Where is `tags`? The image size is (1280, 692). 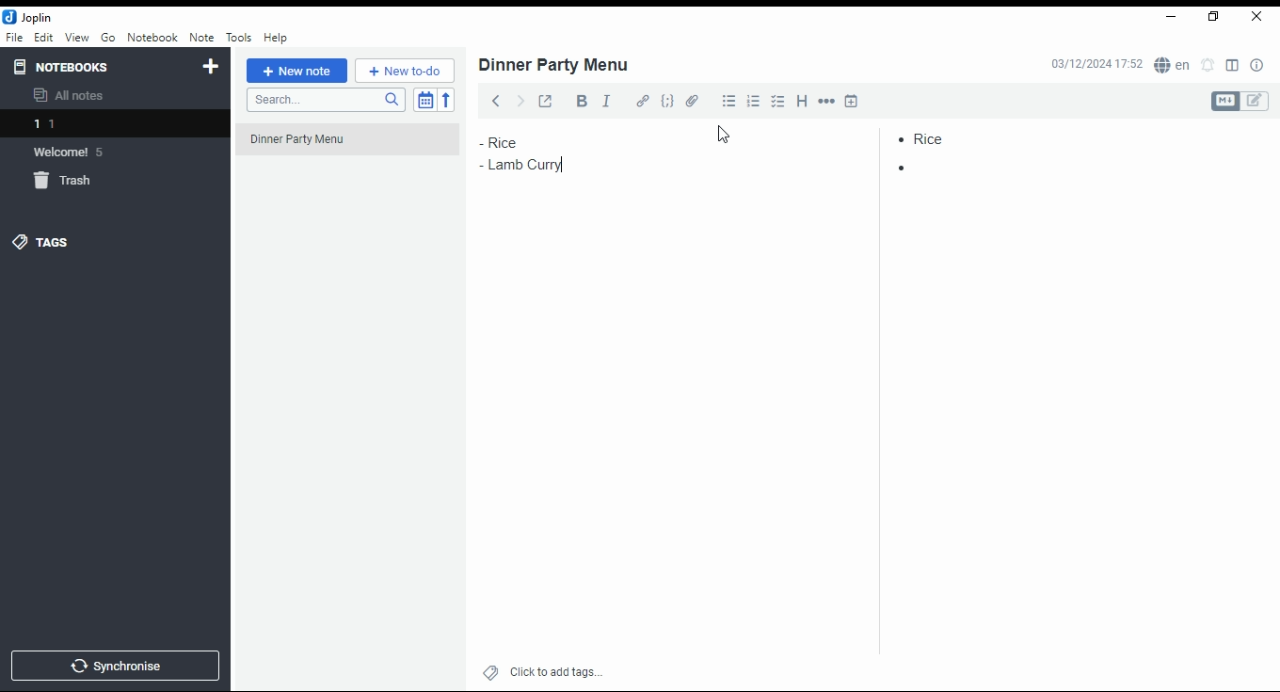
tags is located at coordinates (55, 242).